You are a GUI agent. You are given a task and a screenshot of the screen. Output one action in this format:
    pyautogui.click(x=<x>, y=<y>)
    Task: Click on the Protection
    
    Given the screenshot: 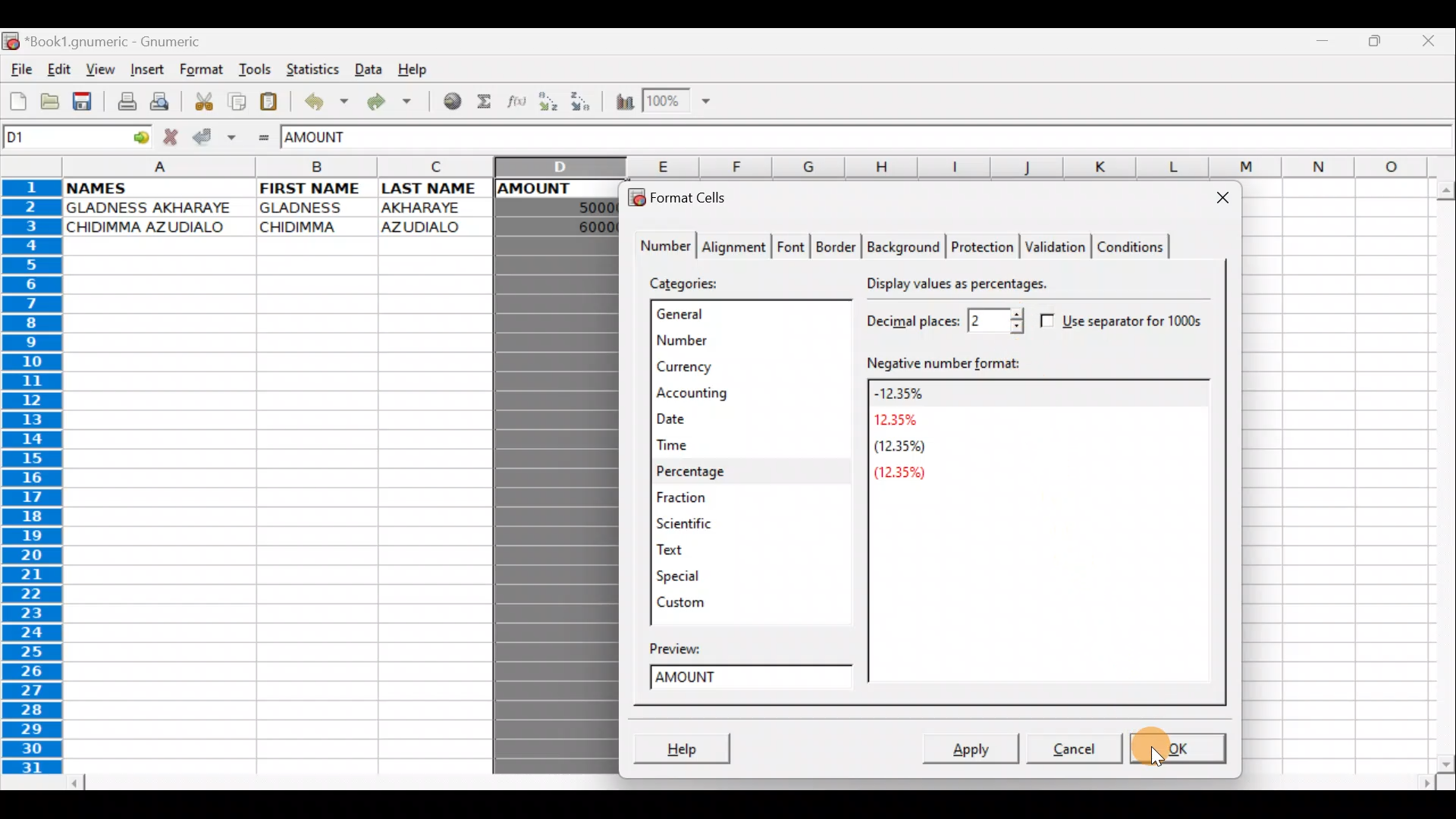 What is the action you would take?
    pyautogui.click(x=981, y=246)
    